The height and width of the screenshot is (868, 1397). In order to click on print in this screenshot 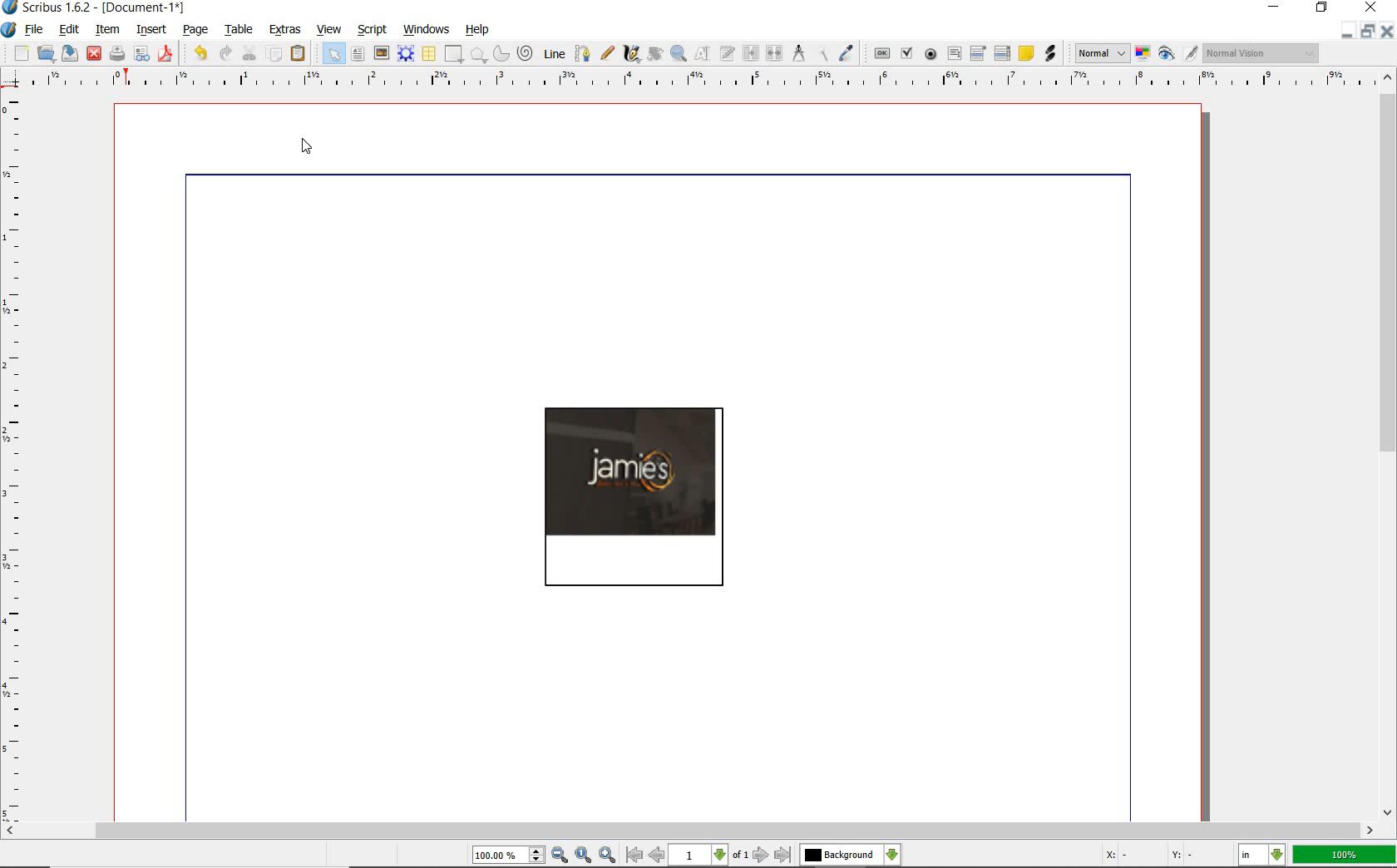, I will do `click(116, 52)`.